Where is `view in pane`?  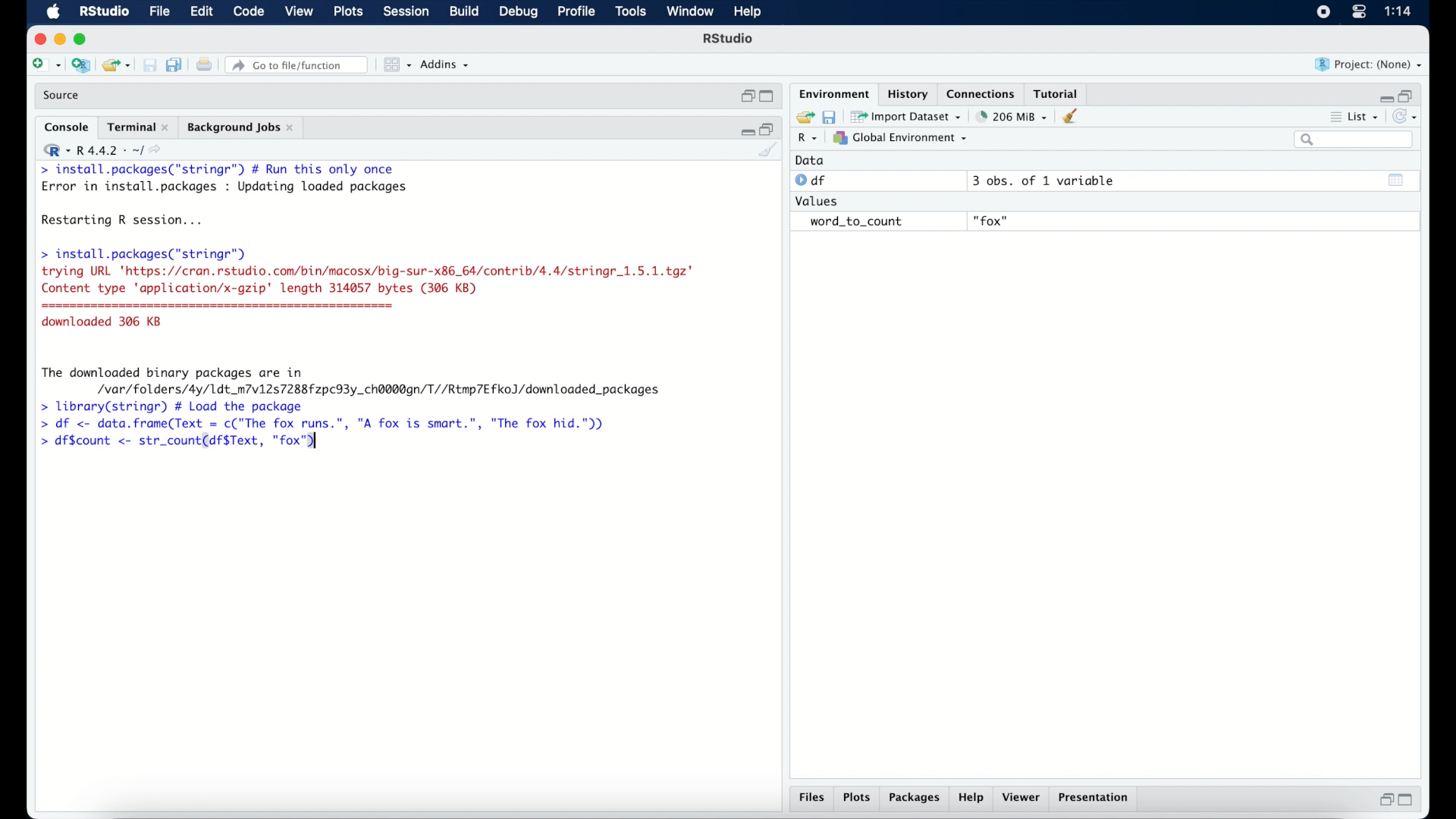
view in pane is located at coordinates (396, 65).